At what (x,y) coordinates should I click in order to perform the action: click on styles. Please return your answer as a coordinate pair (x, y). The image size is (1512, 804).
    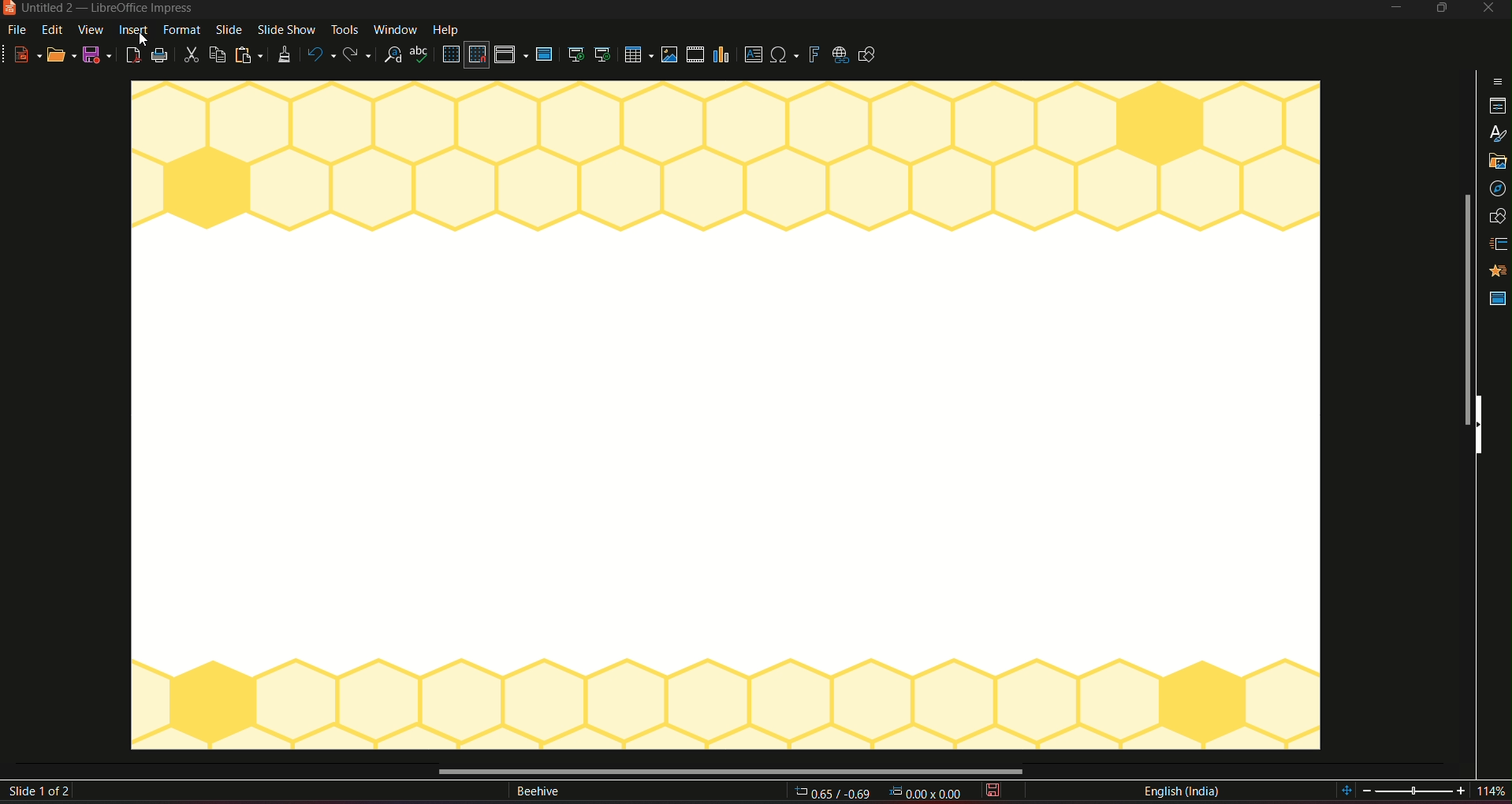
    Looking at the image, I should click on (1496, 134).